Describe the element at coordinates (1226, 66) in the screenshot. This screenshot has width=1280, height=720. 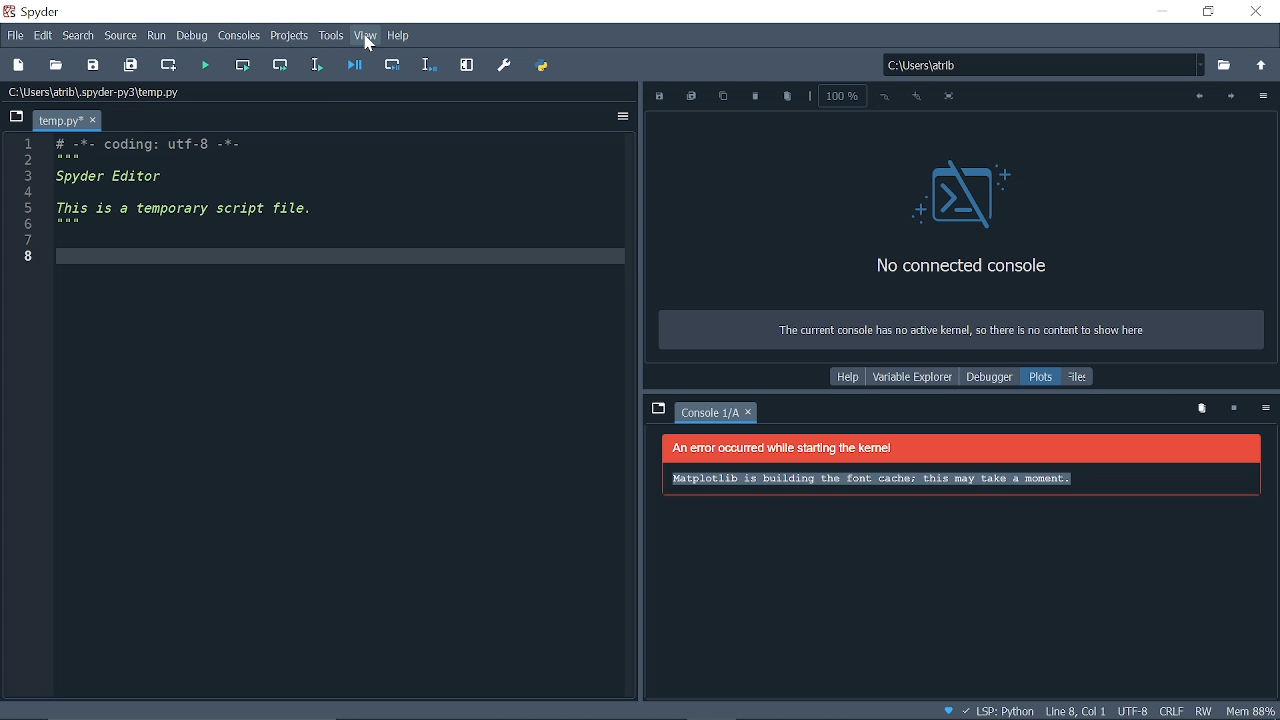
I see `Browse a working directory` at that location.